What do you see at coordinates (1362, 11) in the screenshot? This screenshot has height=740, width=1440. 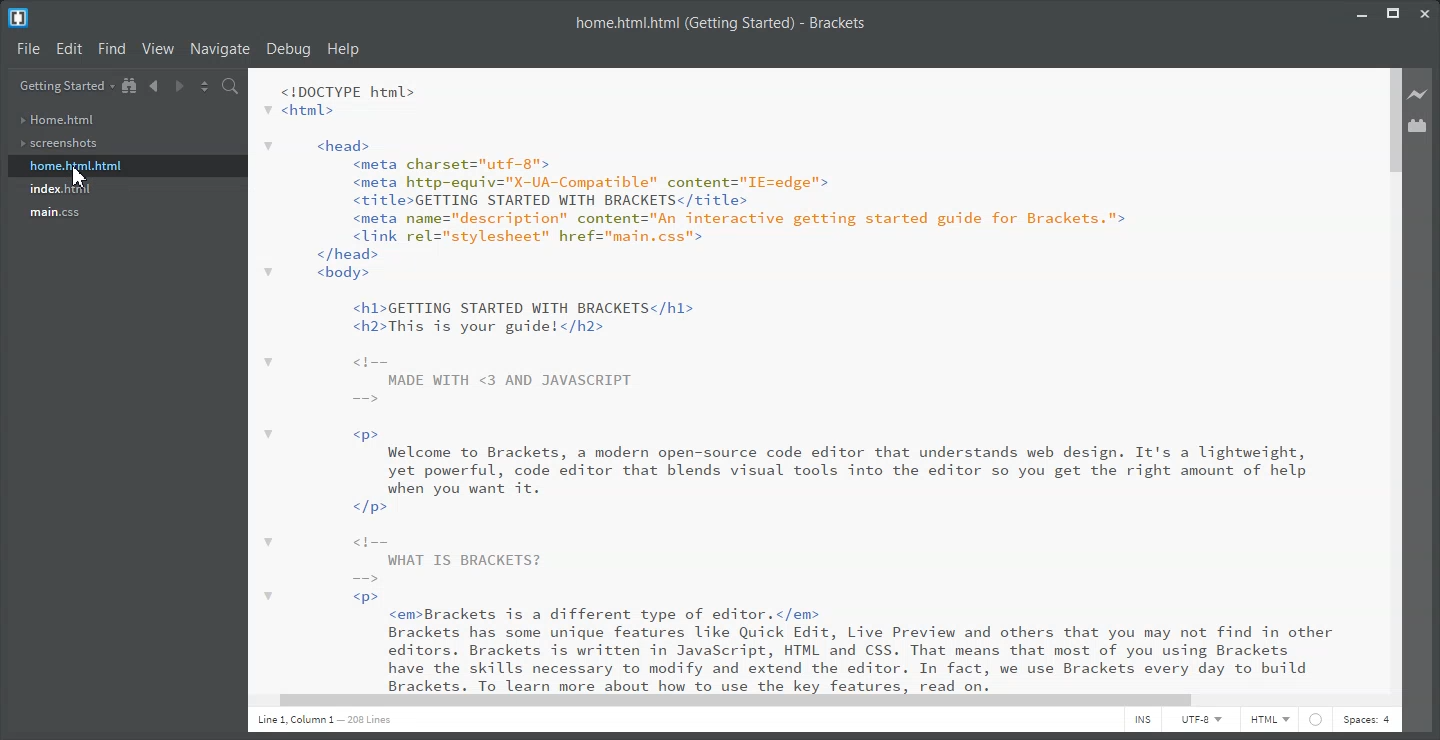 I see `Minimize` at bounding box center [1362, 11].